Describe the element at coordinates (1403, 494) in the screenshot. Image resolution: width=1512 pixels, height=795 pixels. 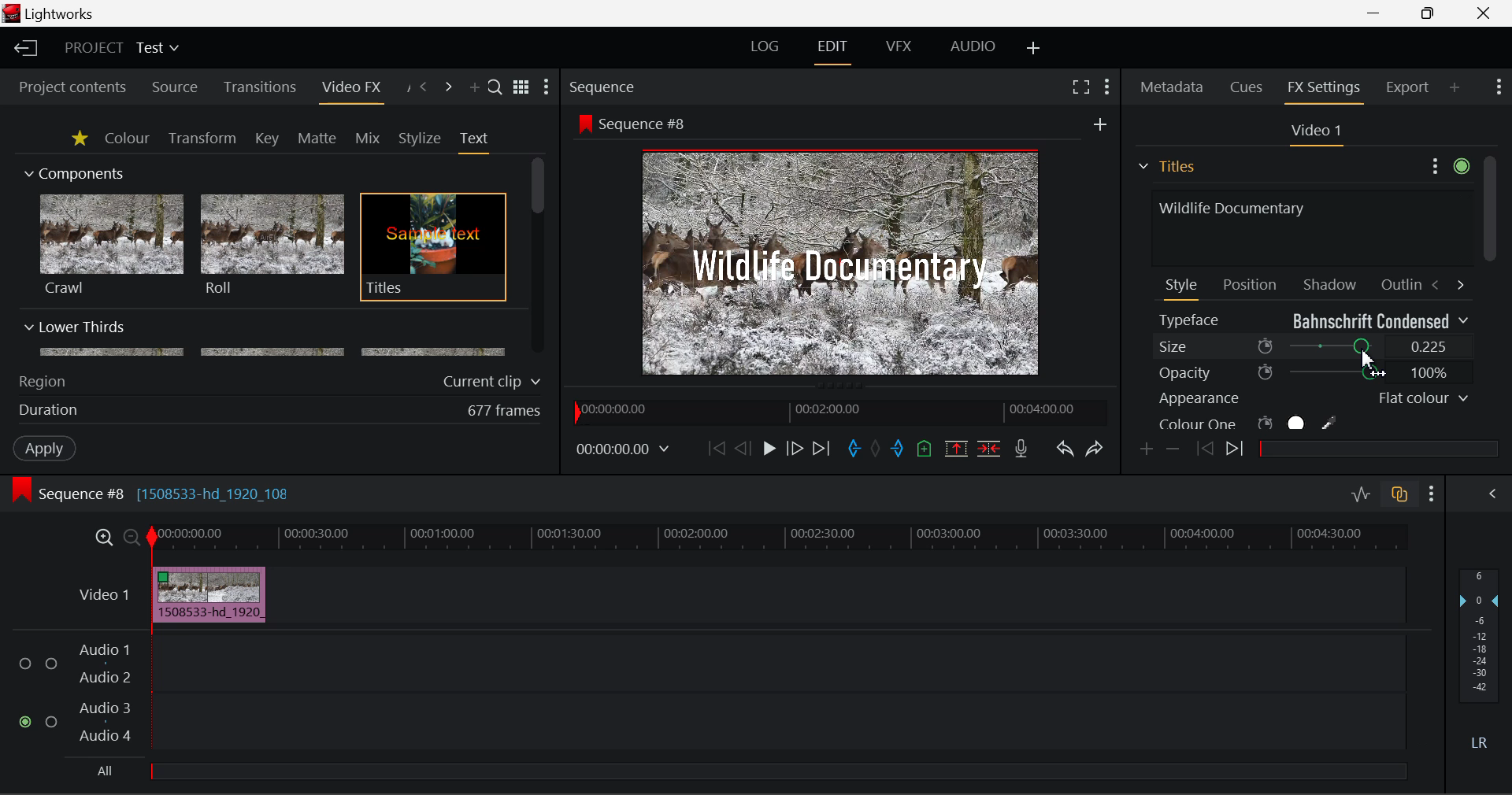
I see `Toggle auto track sync` at that location.